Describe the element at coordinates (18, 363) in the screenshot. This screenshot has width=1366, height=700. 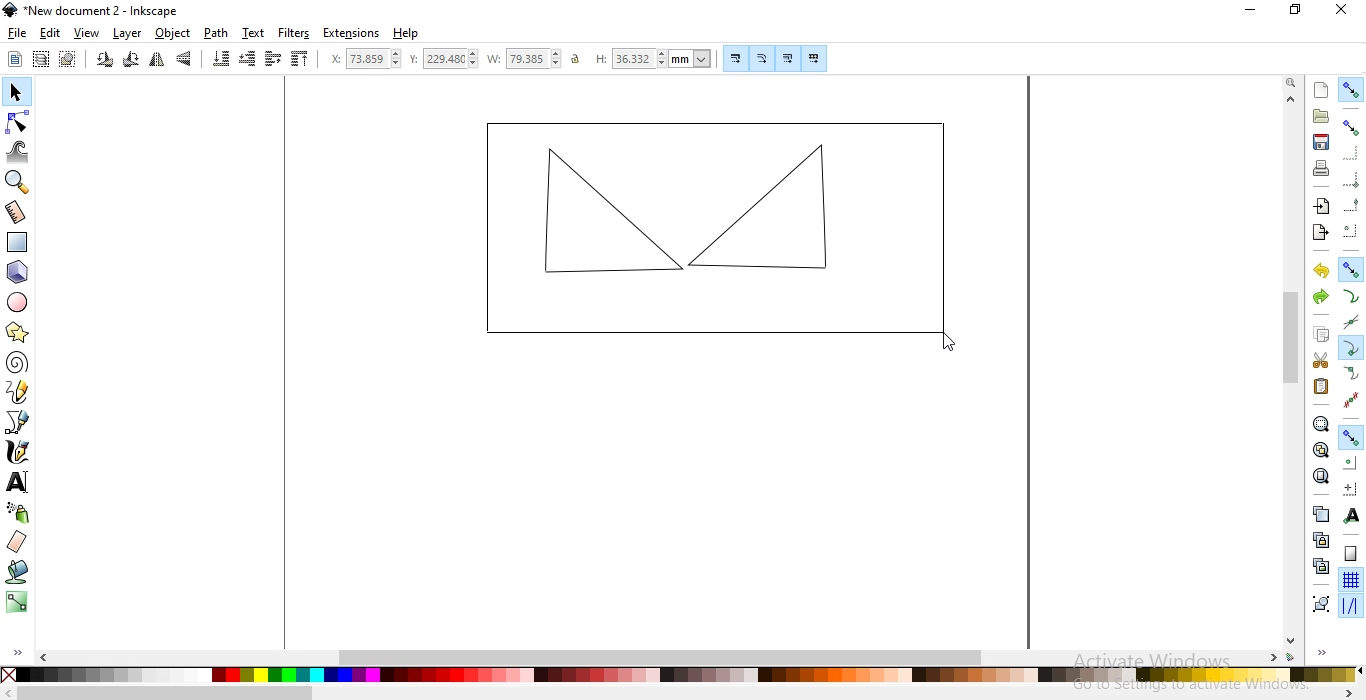
I see `create spirals` at that location.